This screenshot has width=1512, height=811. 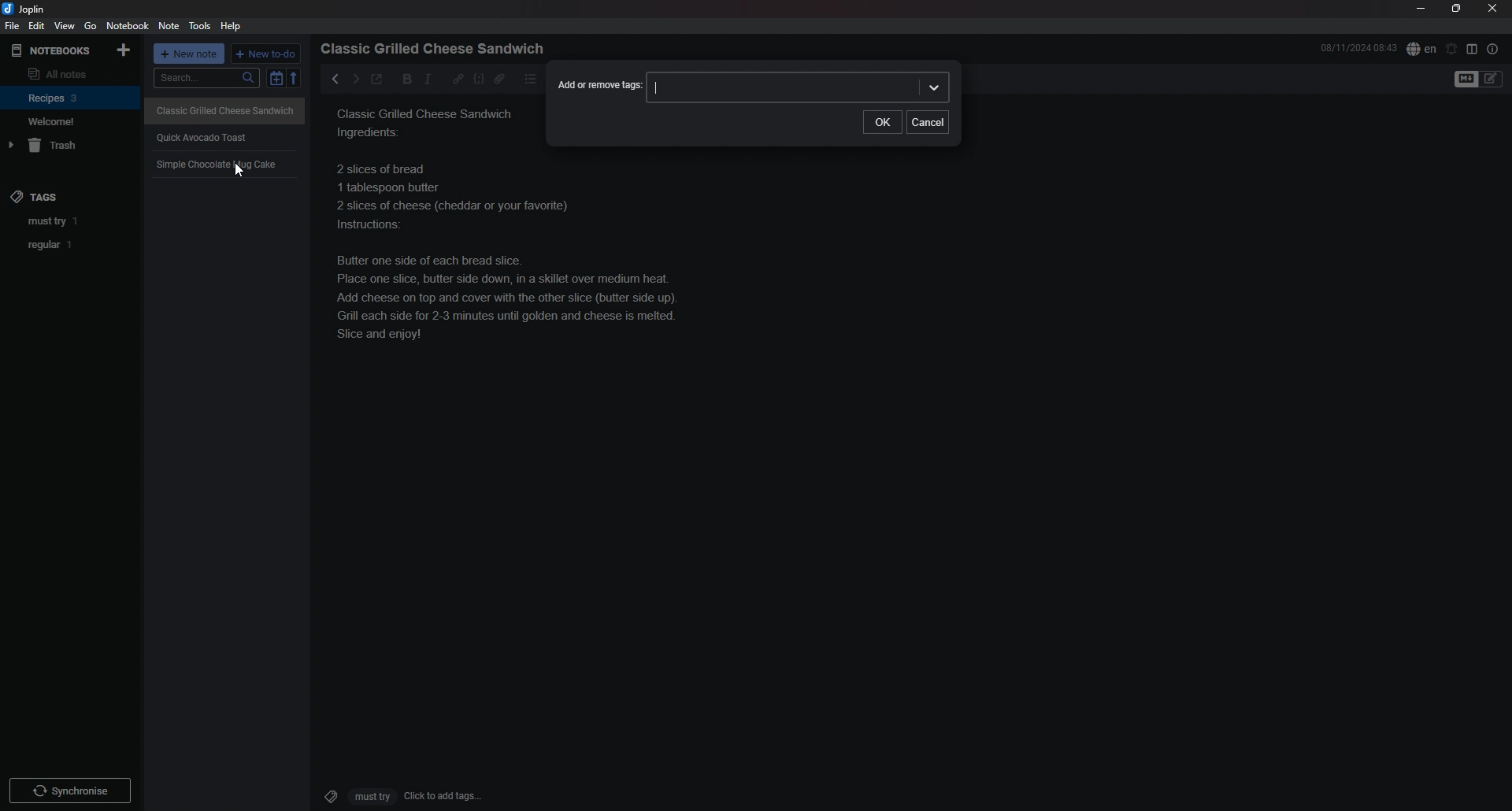 What do you see at coordinates (458, 78) in the screenshot?
I see `hyperlink` at bounding box center [458, 78].